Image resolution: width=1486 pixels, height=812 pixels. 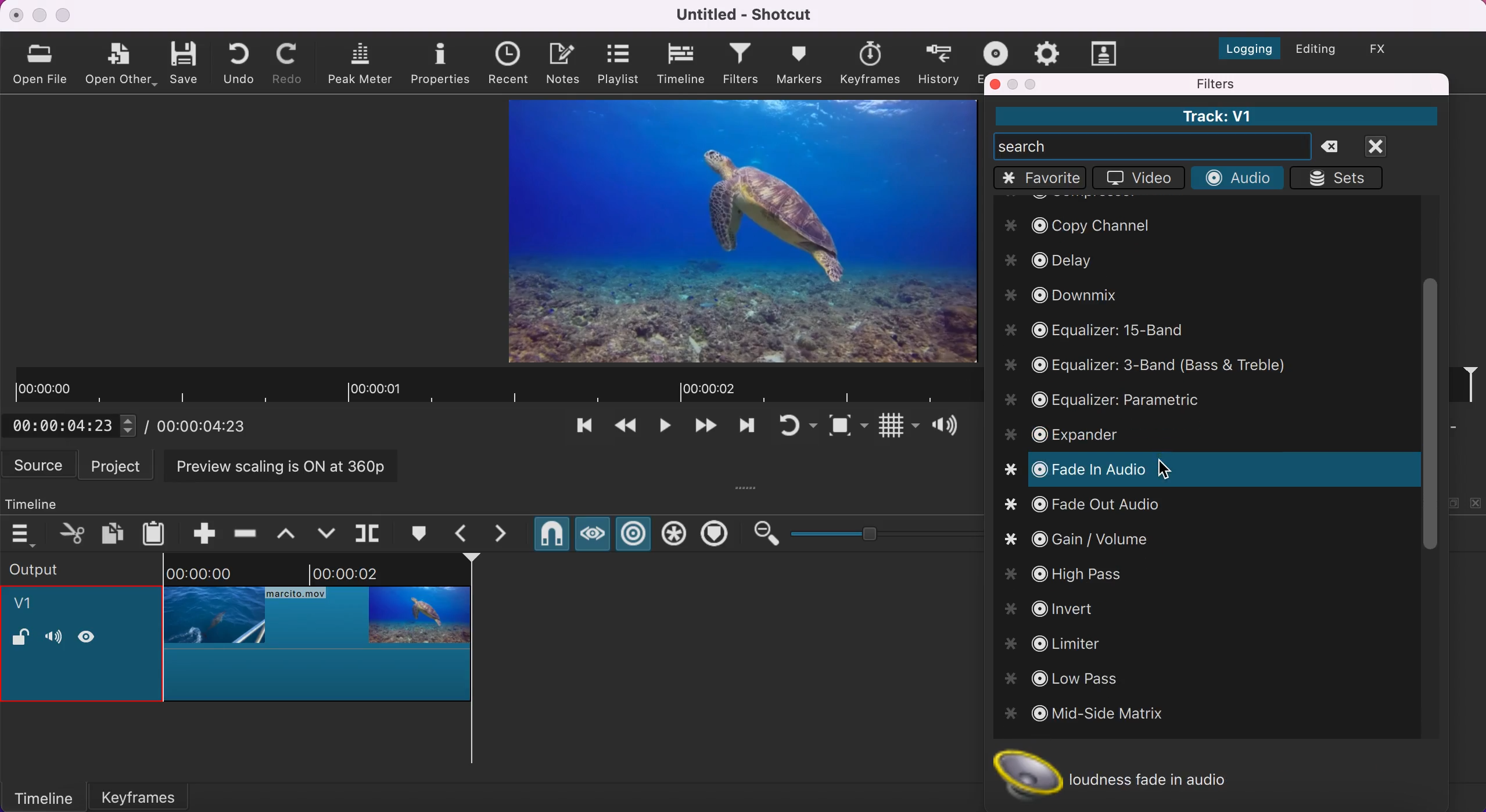 I want to click on show volume control, so click(x=949, y=427).